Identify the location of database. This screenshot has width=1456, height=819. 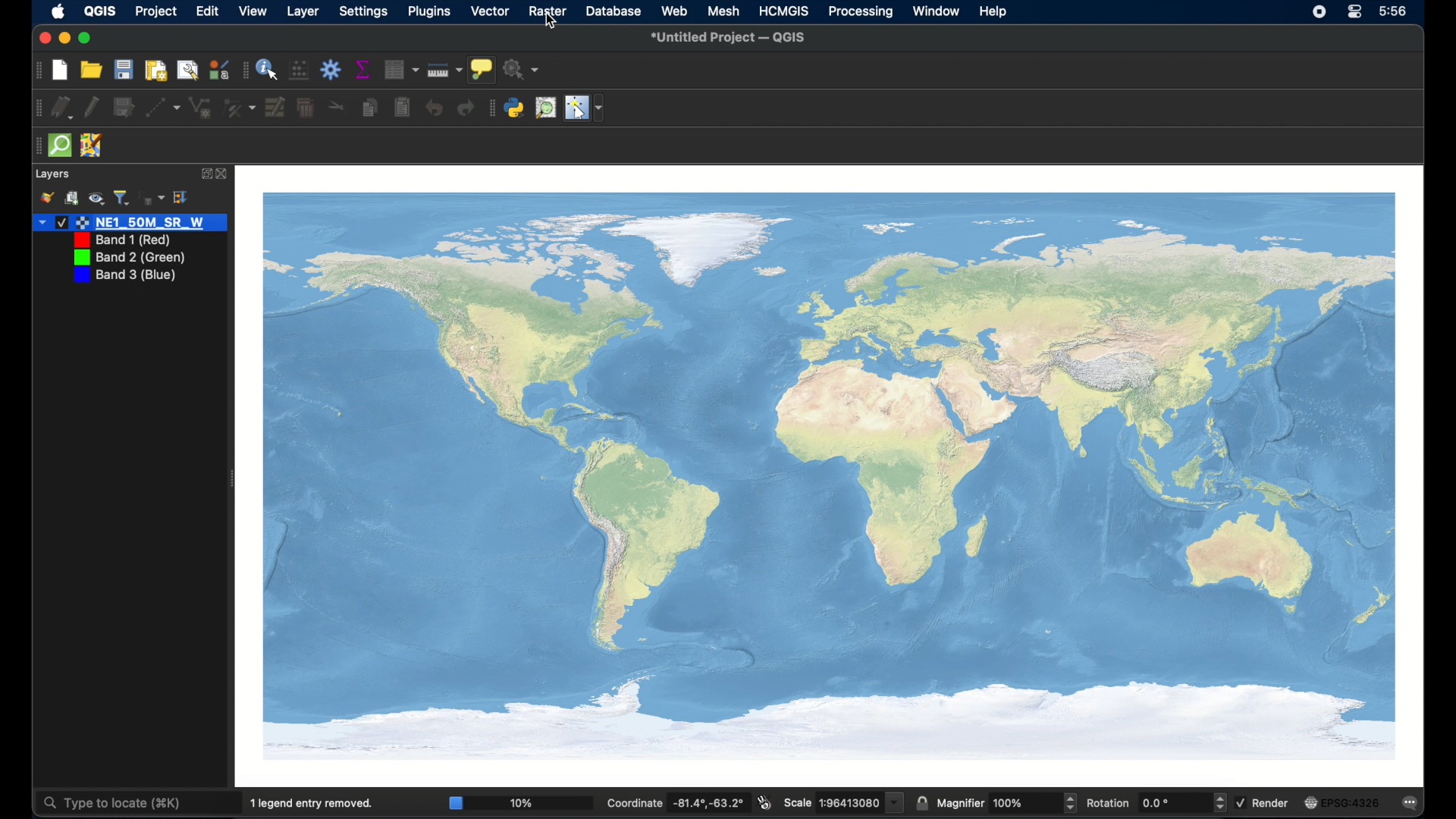
(612, 11).